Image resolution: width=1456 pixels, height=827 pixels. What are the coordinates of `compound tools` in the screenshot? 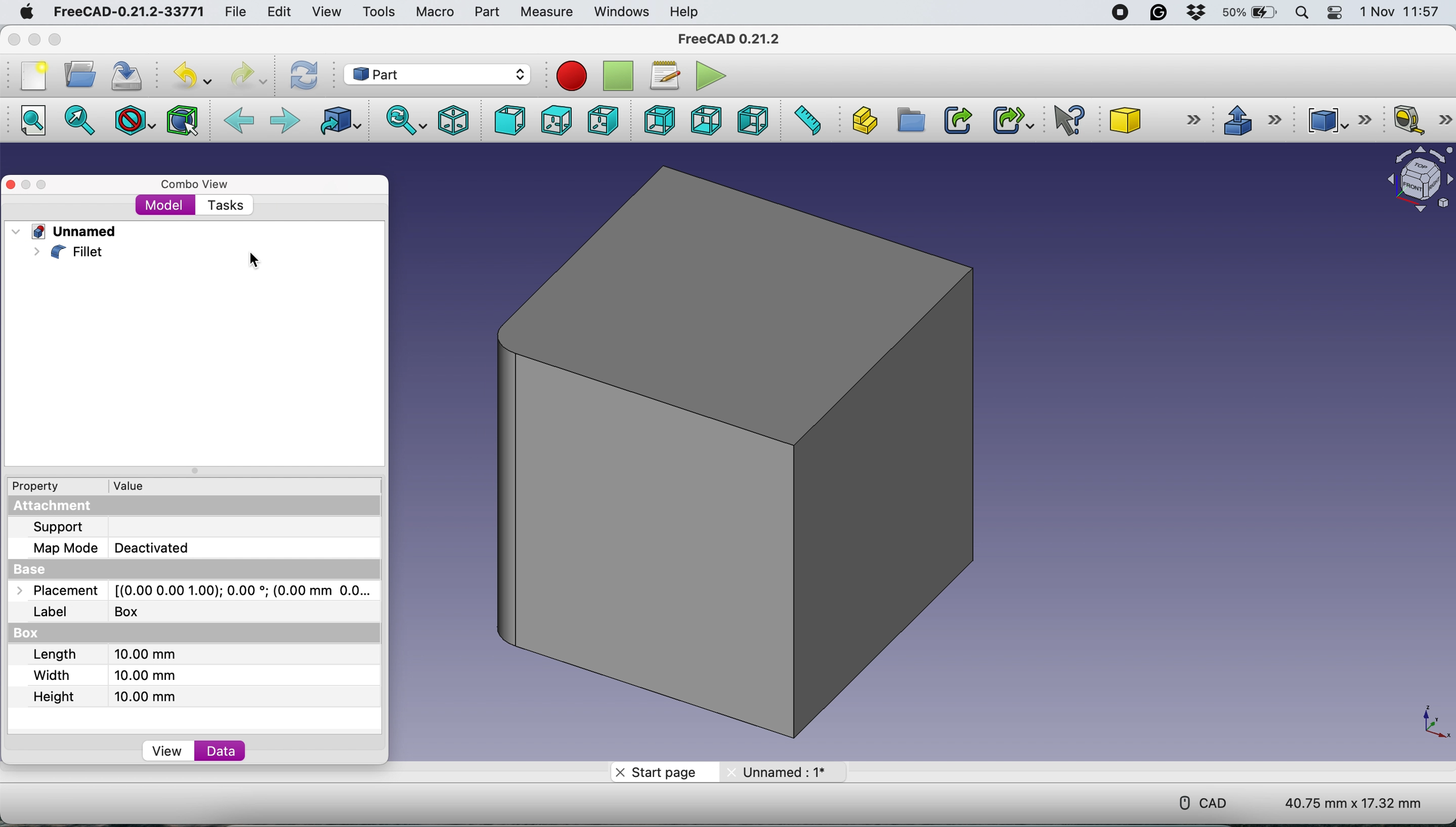 It's located at (1342, 120).